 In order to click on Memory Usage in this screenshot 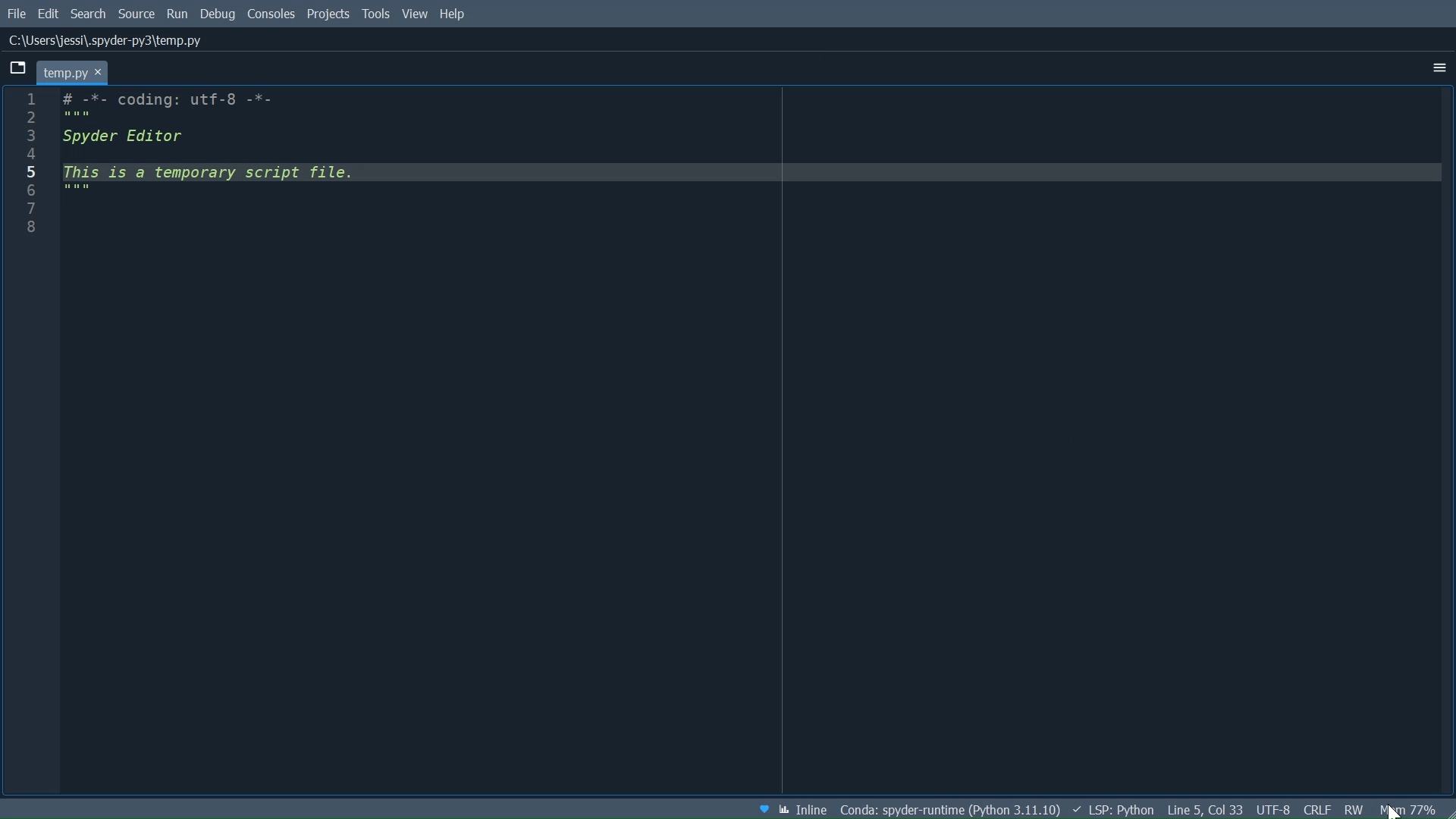, I will do `click(1407, 808)`.